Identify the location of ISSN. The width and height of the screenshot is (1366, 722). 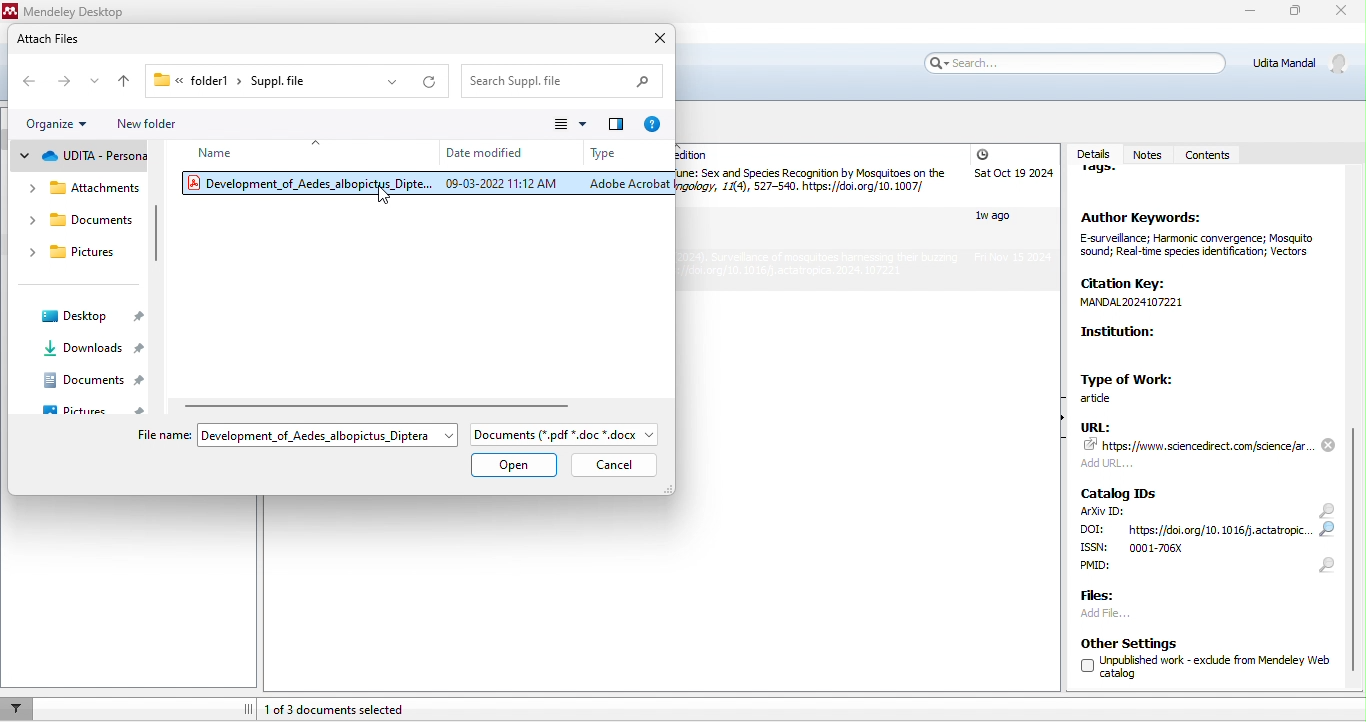
(1161, 548).